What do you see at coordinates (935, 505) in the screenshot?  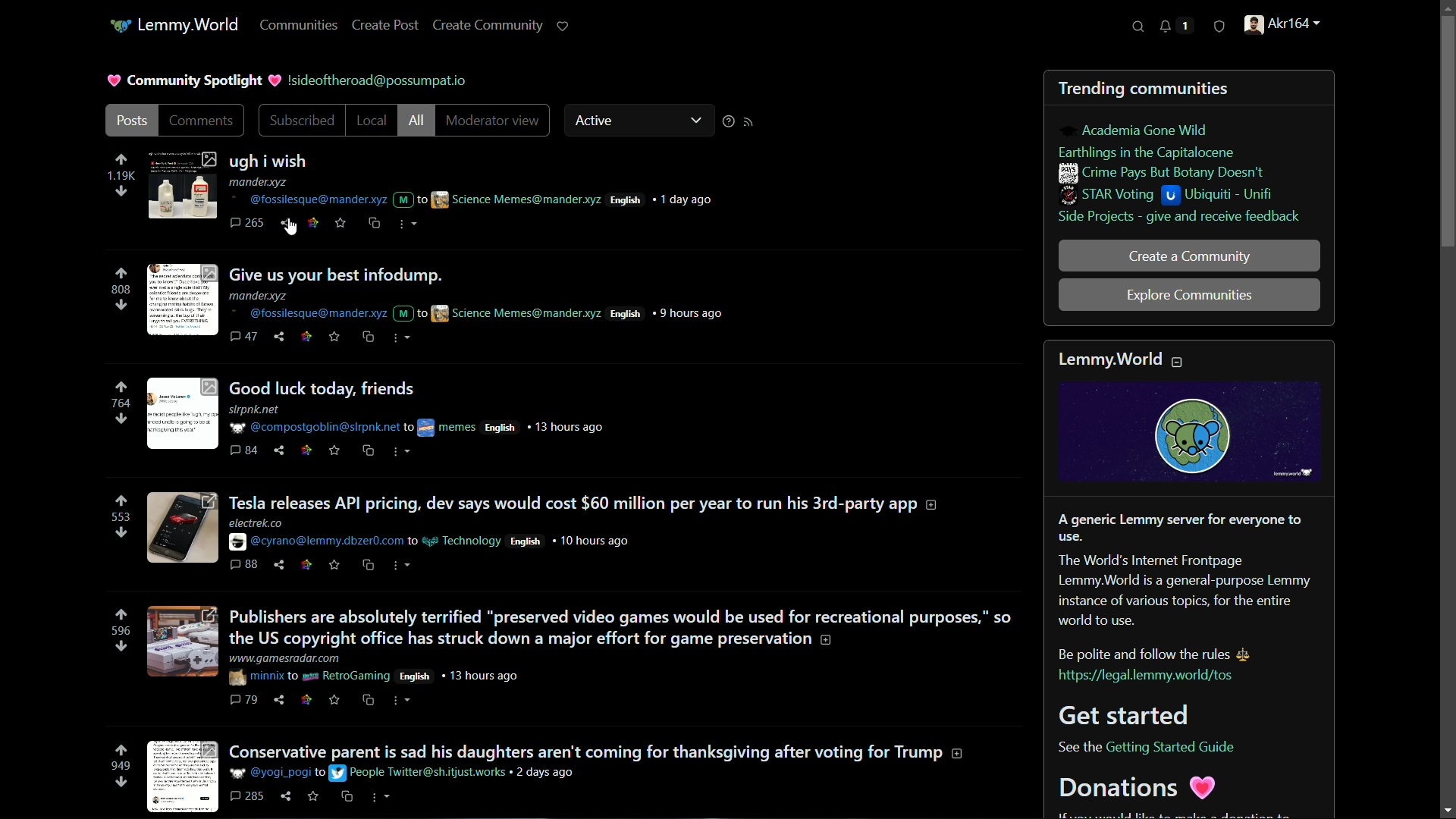 I see `more information` at bounding box center [935, 505].